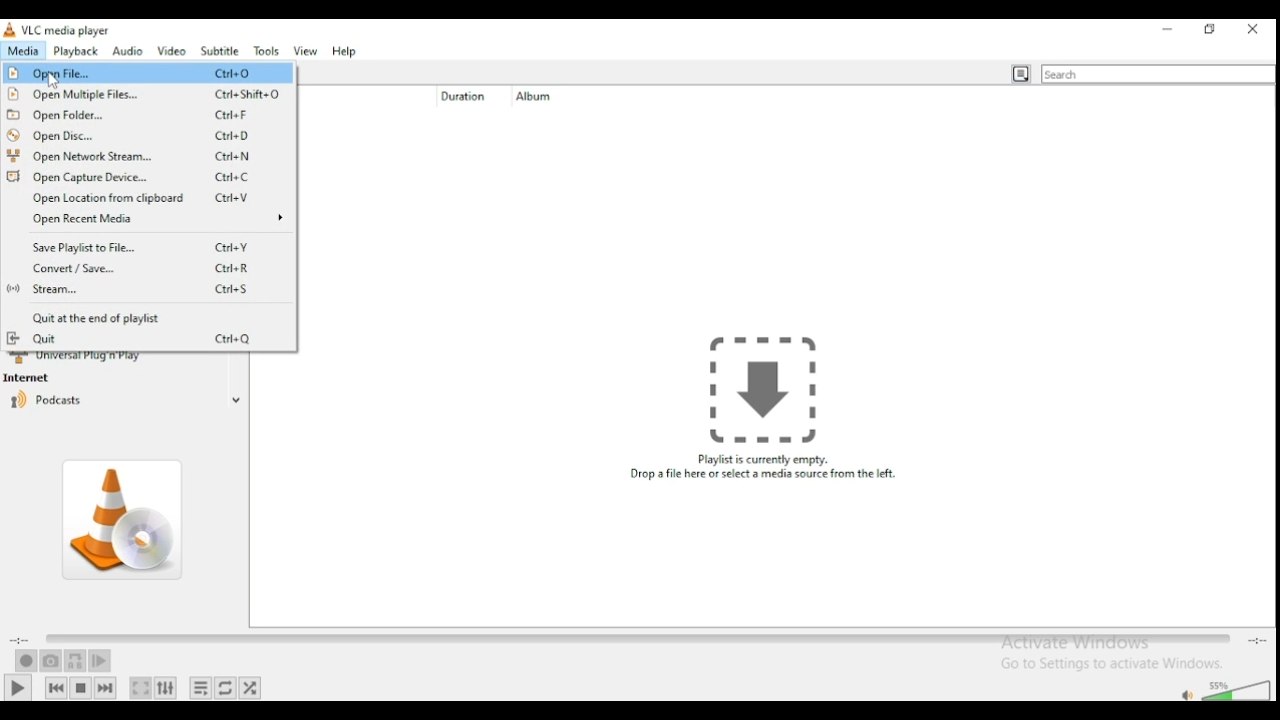 The image size is (1280, 720). Describe the element at coordinates (150, 136) in the screenshot. I see `open disc` at that location.